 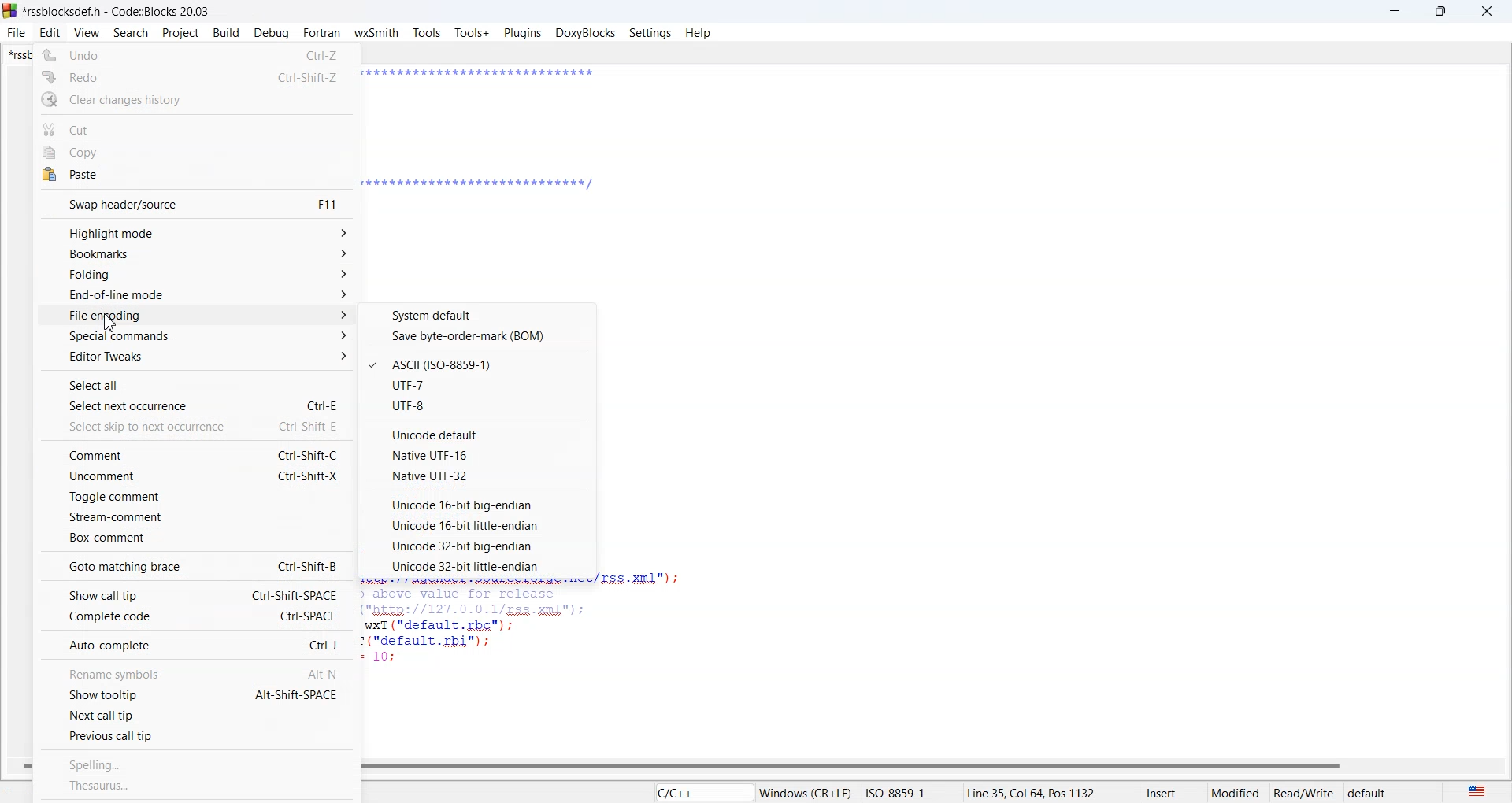 I want to click on Unicode 16-bit big ending, so click(x=476, y=504).